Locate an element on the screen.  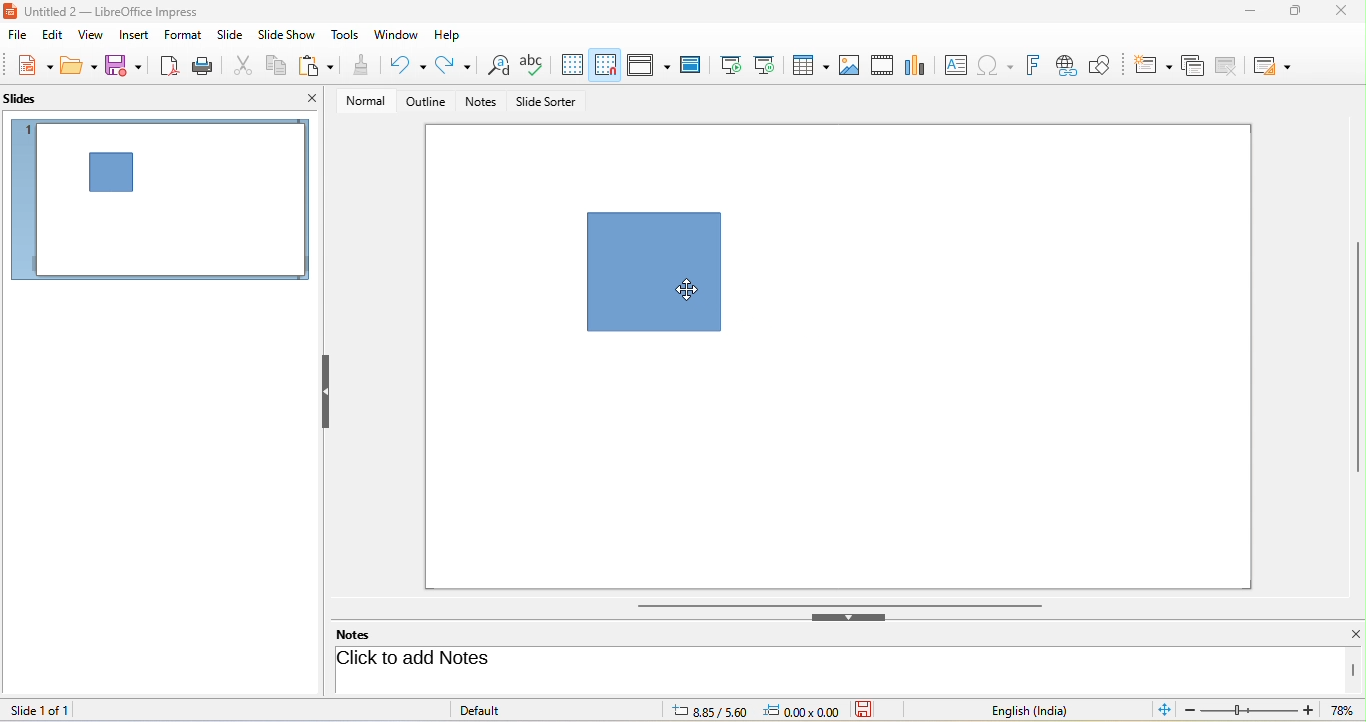
object position-0.00x0.00 is located at coordinates (803, 710).